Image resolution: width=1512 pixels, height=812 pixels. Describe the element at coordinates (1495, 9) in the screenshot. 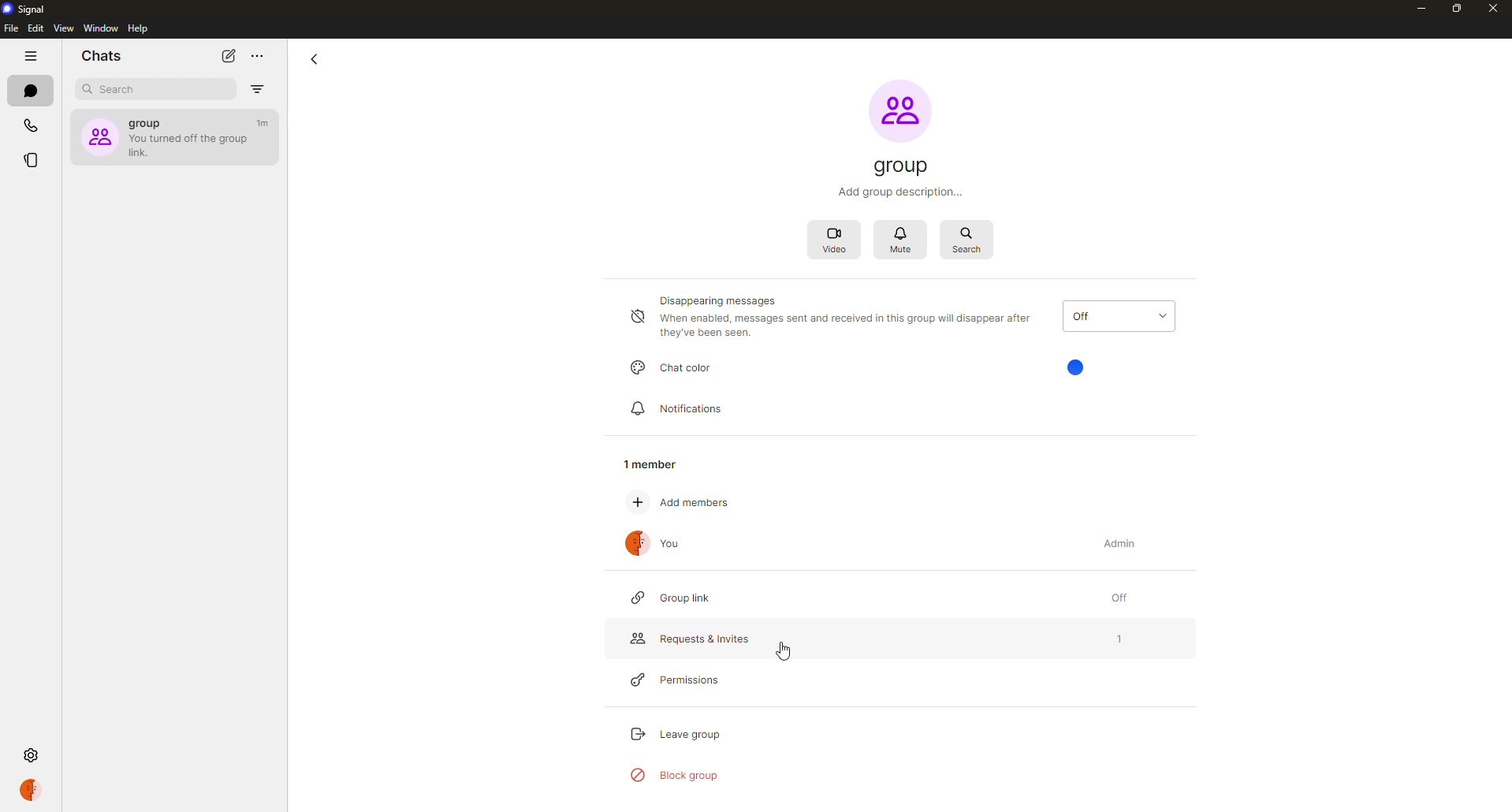

I see `close` at that location.